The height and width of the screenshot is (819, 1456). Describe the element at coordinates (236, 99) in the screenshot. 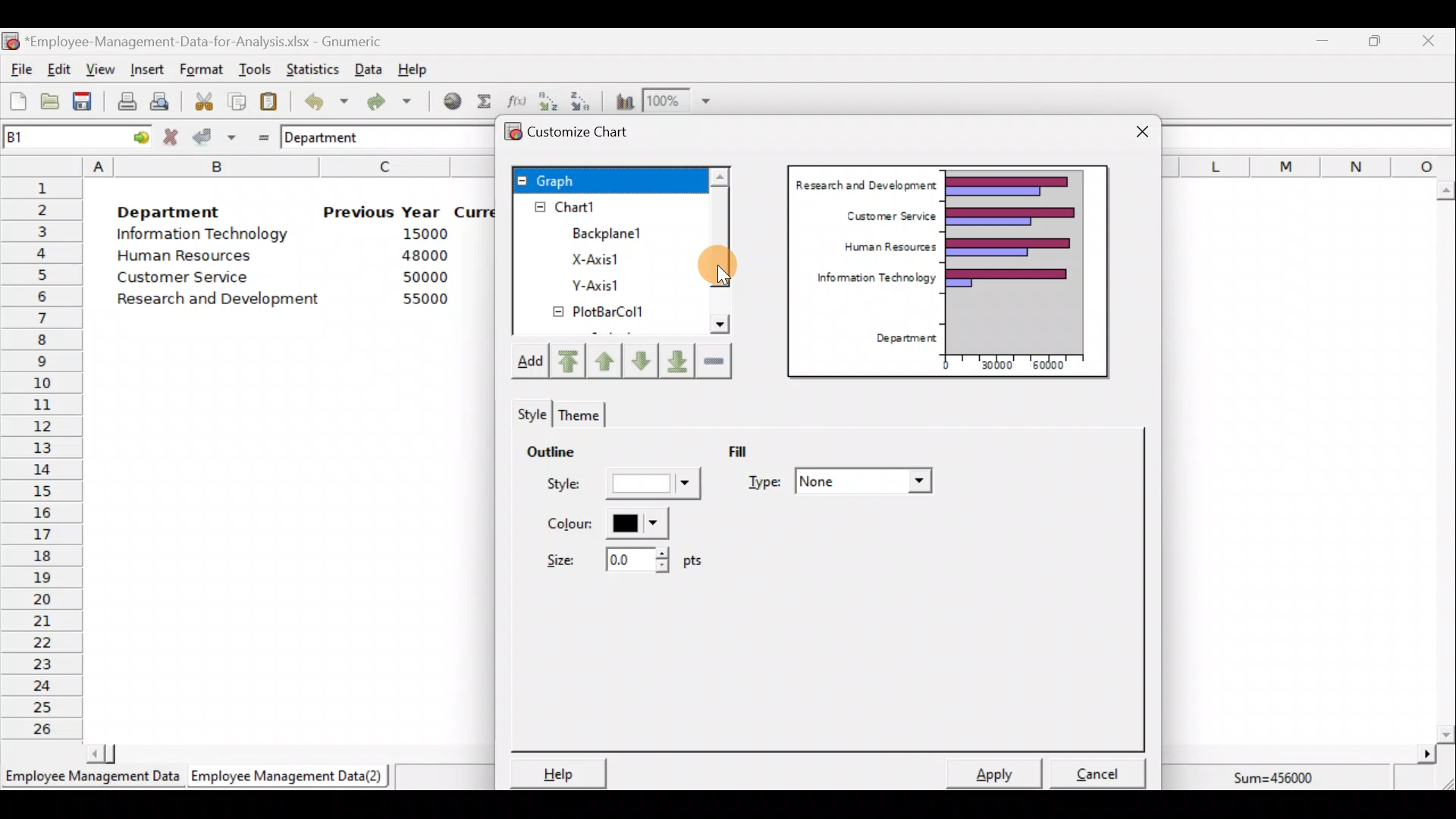

I see `Copy the selection` at that location.